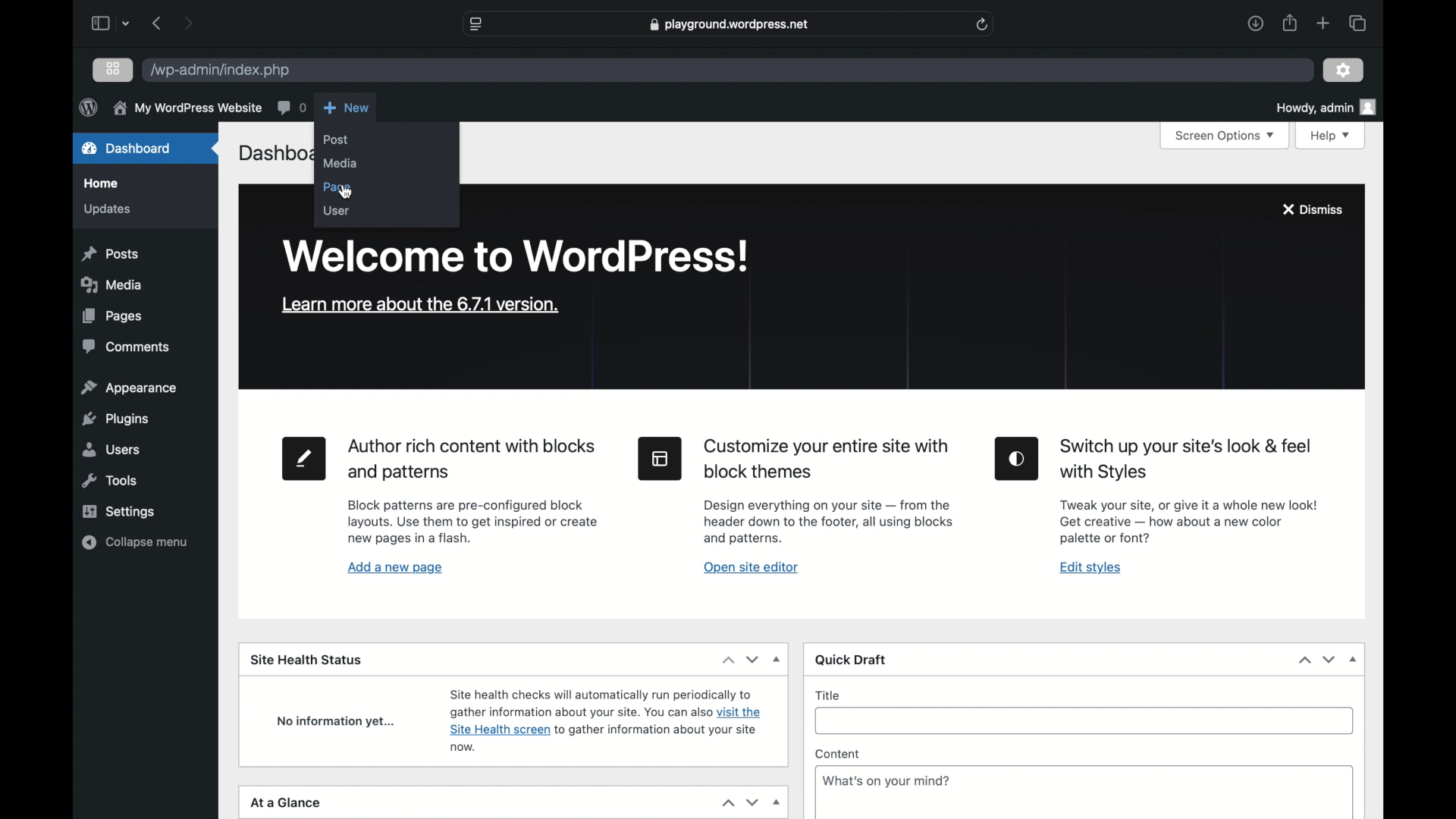  What do you see at coordinates (1255, 23) in the screenshot?
I see `downloads` at bounding box center [1255, 23].